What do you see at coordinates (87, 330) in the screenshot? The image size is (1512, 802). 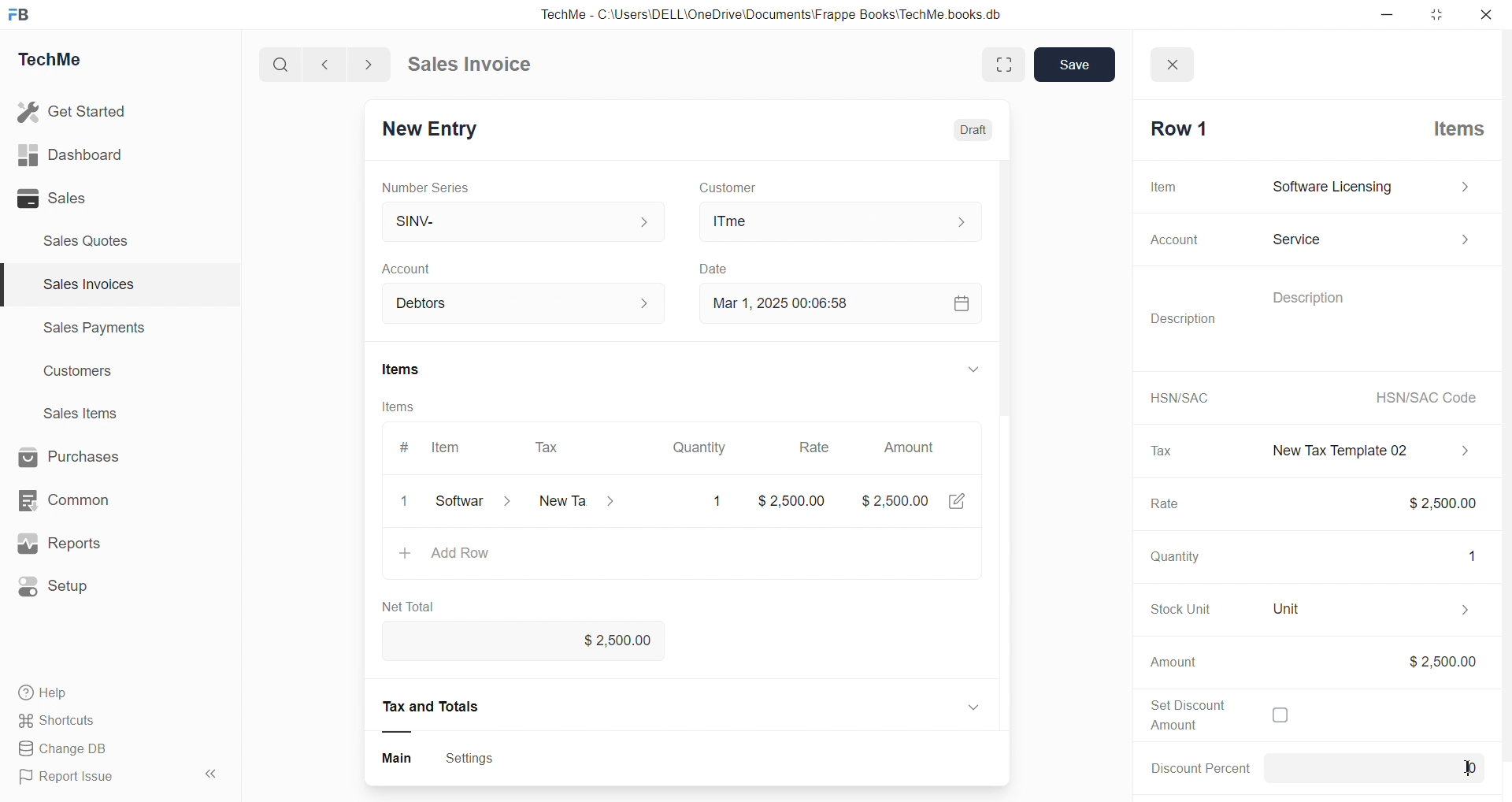 I see `Sales Payments` at bounding box center [87, 330].